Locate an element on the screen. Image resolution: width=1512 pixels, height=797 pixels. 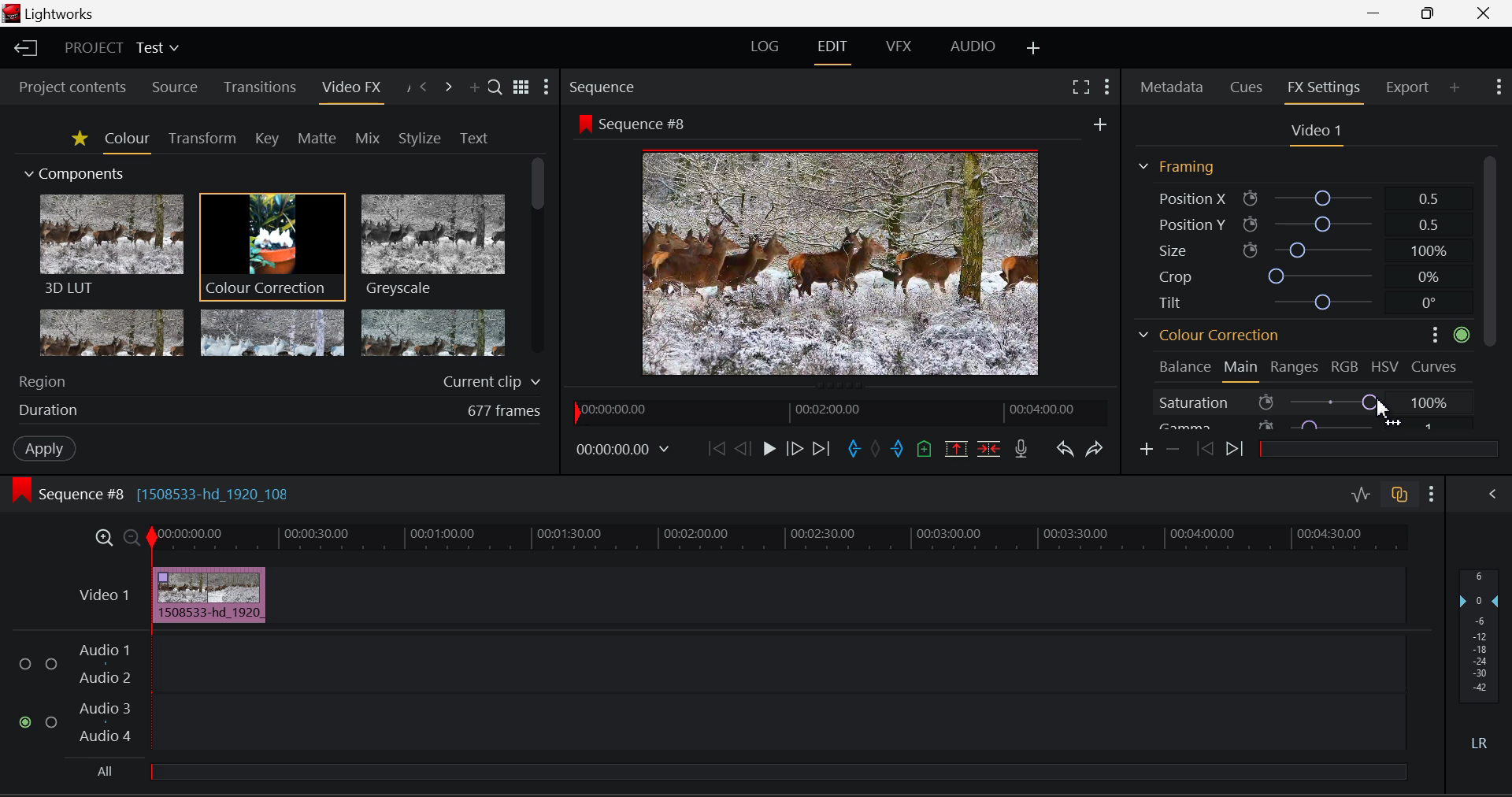
Mosaic is located at coordinates (270, 332).